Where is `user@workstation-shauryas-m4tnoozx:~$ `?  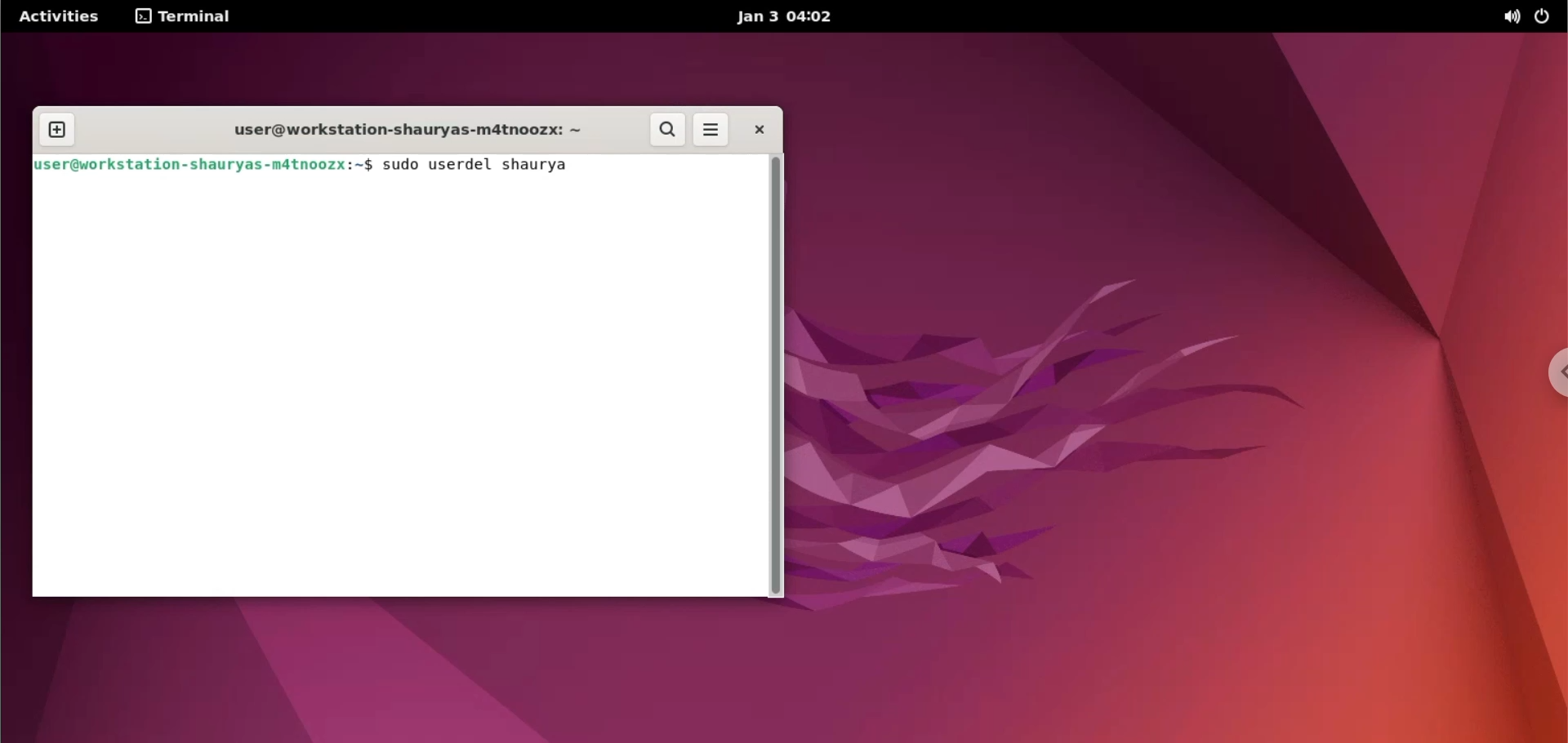
user@workstation-shauryas-m4tnoozx:~$  is located at coordinates (207, 162).